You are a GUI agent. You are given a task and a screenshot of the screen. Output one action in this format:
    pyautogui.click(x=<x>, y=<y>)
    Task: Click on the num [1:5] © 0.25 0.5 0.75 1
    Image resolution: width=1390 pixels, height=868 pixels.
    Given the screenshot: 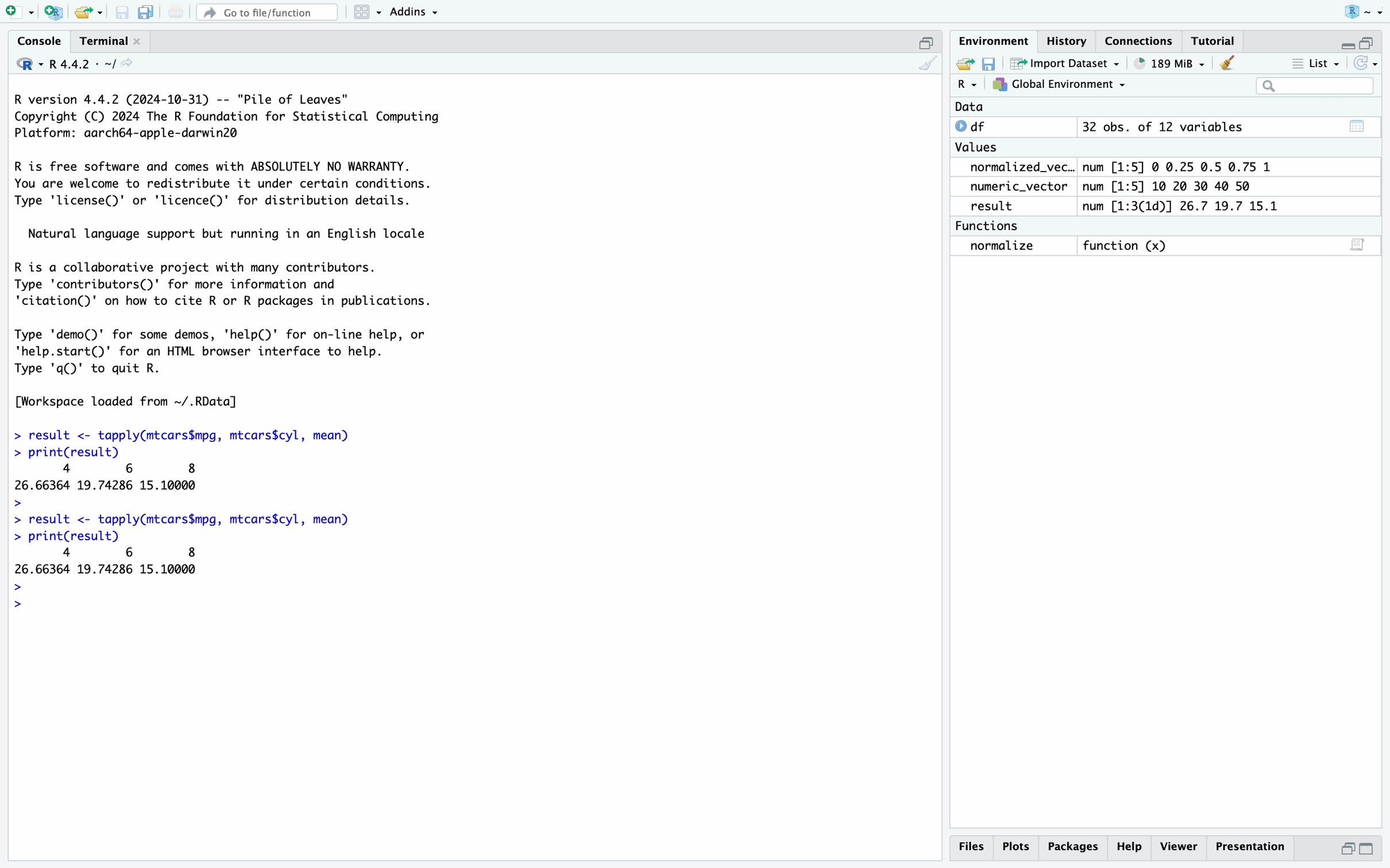 What is the action you would take?
    pyautogui.click(x=1183, y=166)
    